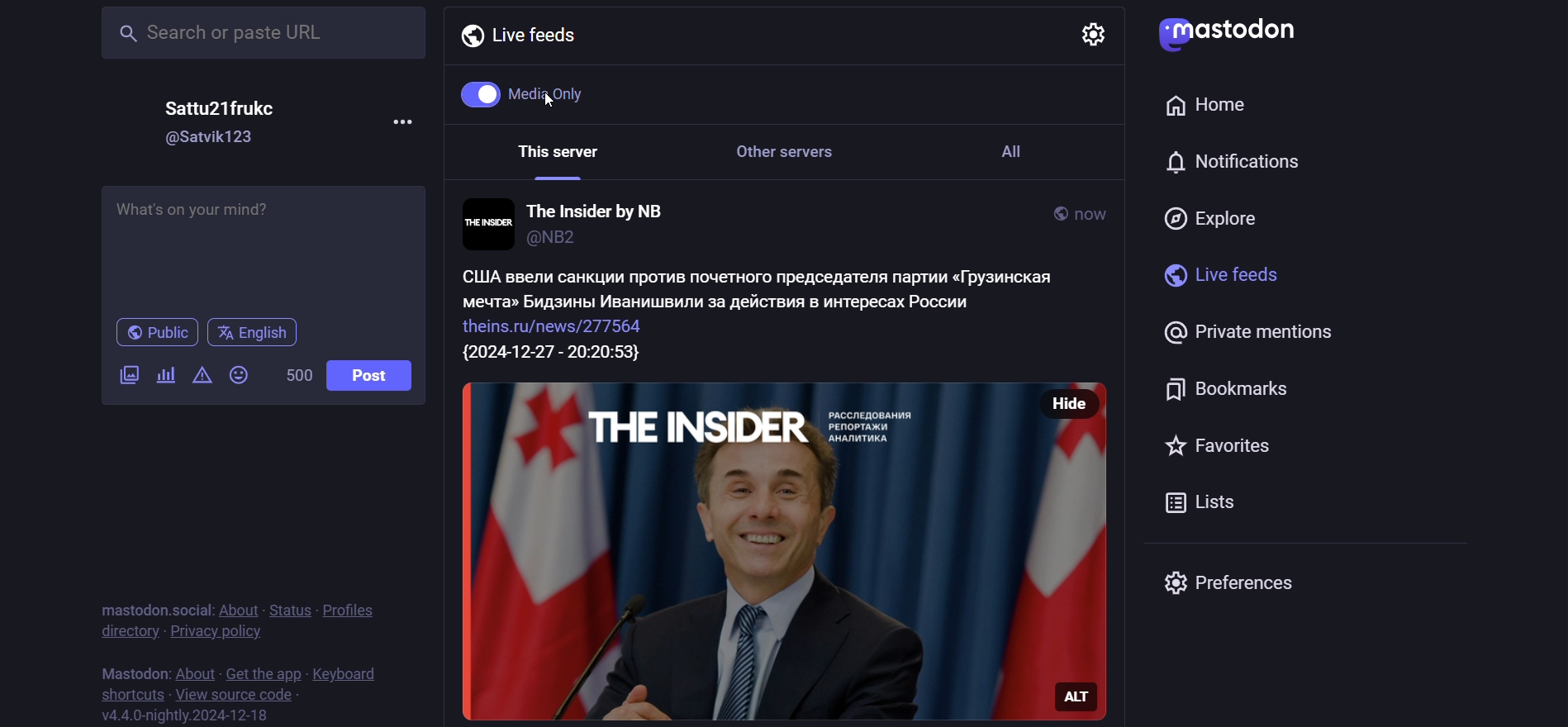  I want to click on now, so click(1094, 209).